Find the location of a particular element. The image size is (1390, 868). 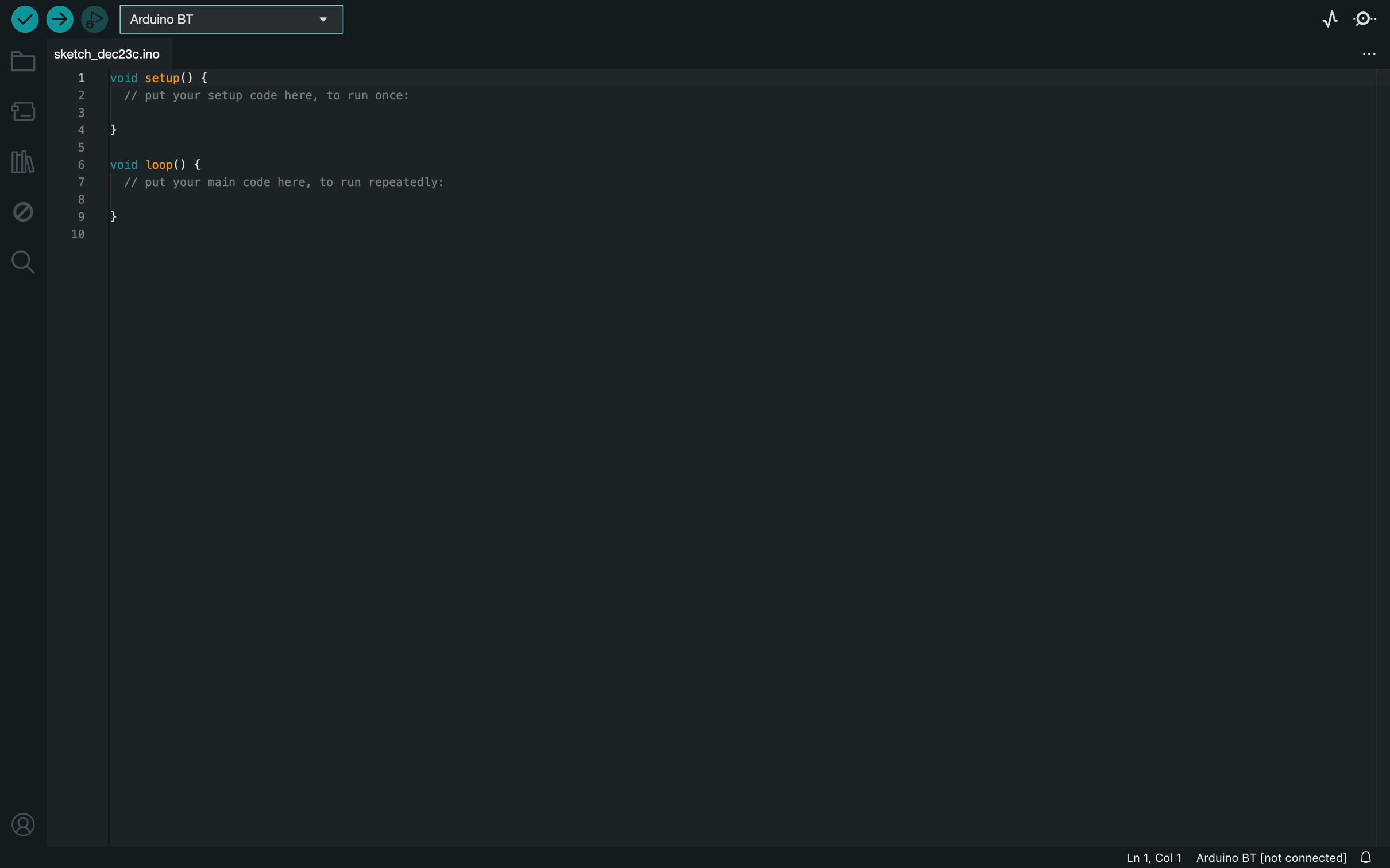

file code is located at coordinates (289, 231).